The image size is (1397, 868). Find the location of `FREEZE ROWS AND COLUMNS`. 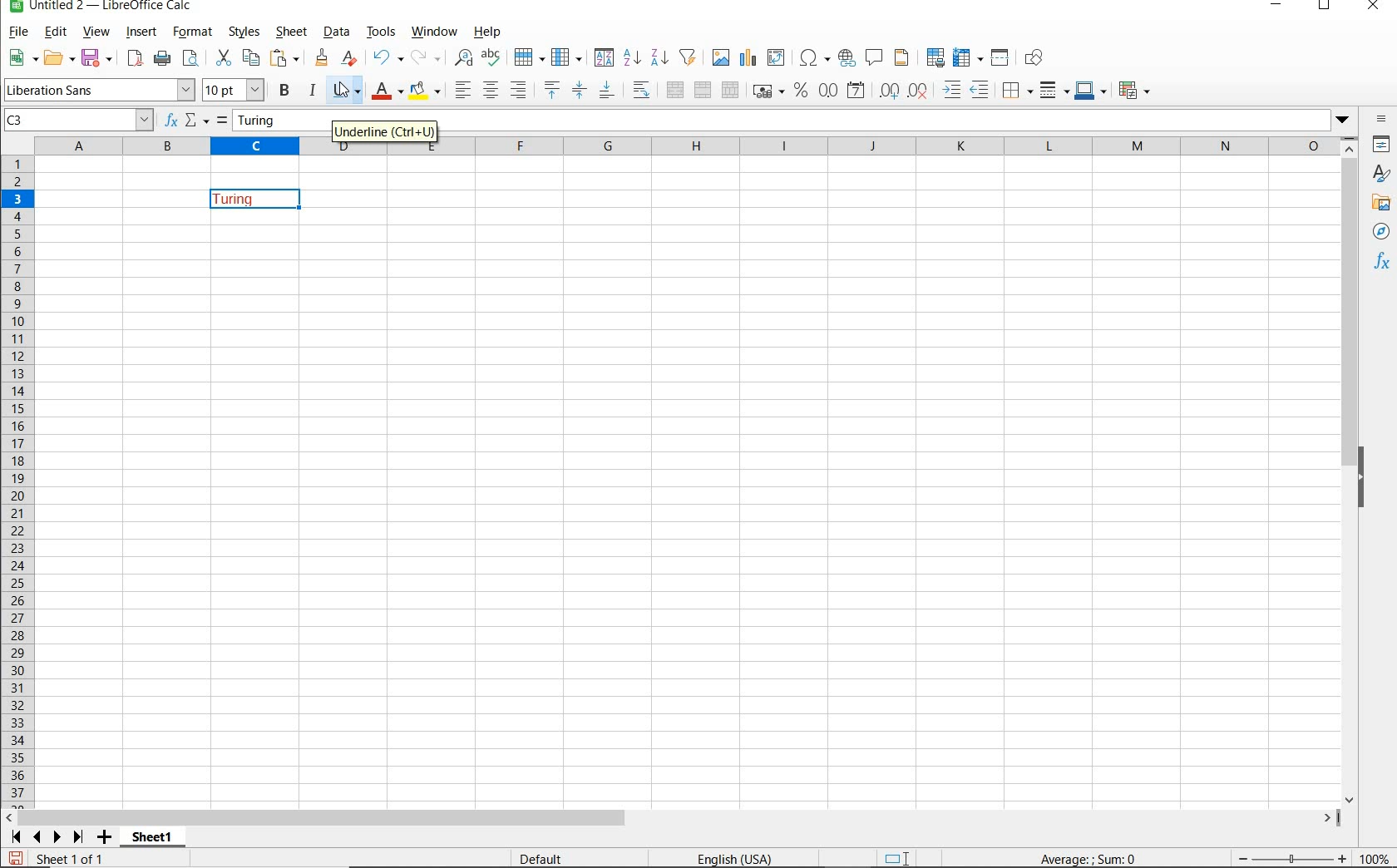

FREEZE ROWS AND COLUMNS is located at coordinates (967, 60).